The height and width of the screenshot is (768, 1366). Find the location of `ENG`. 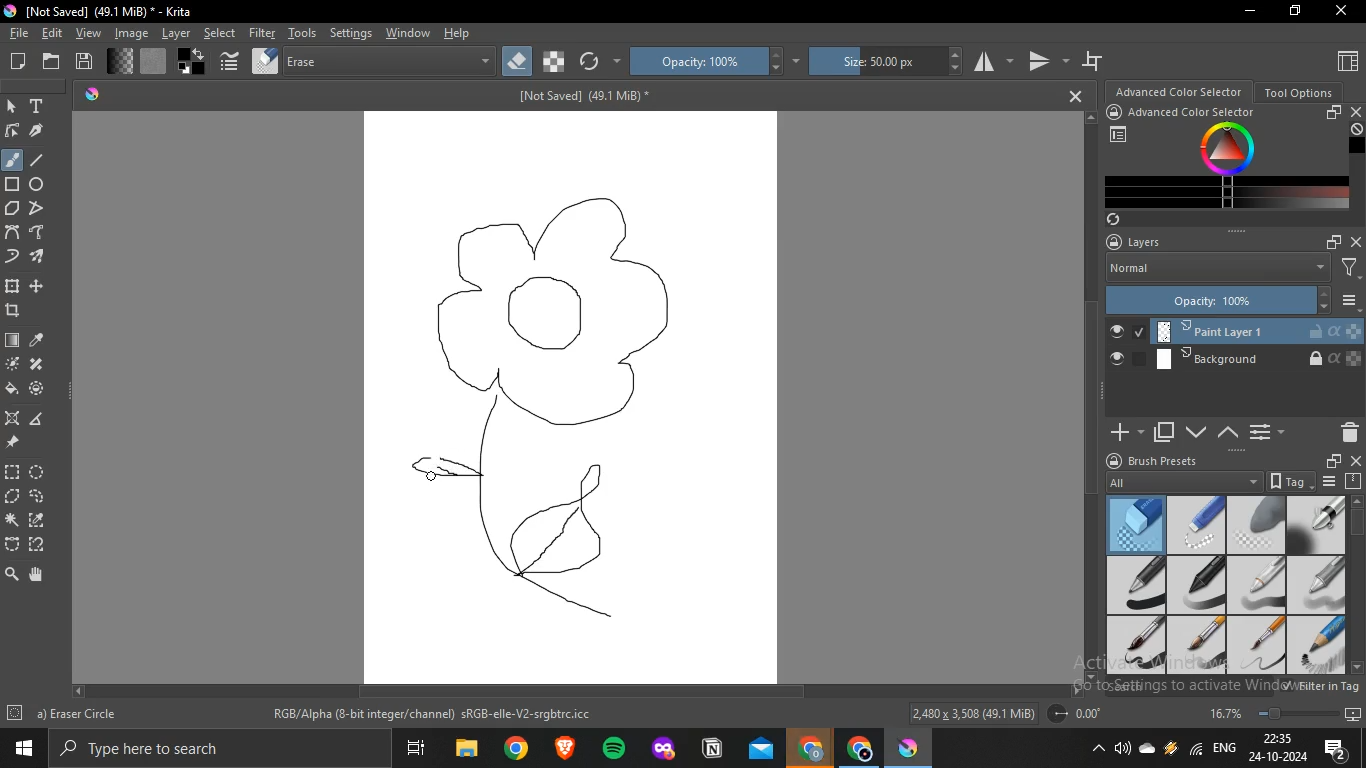

ENG is located at coordinates (1223, 746).